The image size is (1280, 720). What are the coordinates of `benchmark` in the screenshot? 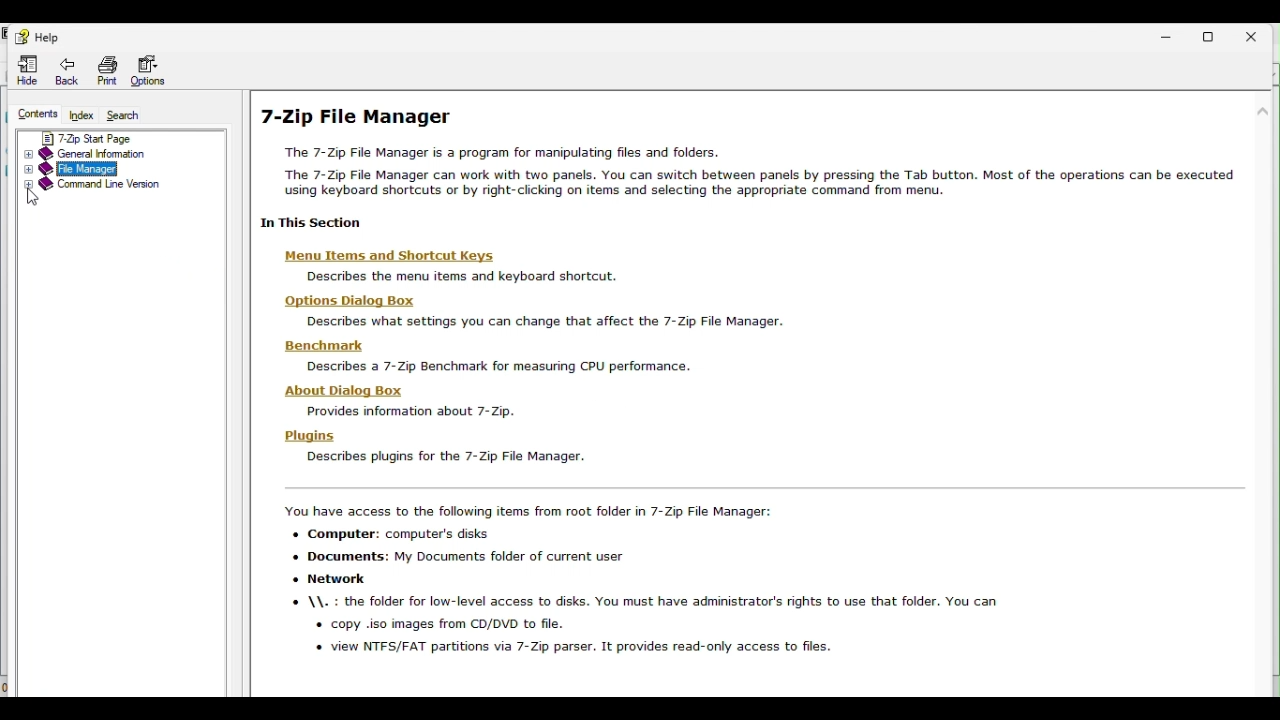 It's located at (315, 347).